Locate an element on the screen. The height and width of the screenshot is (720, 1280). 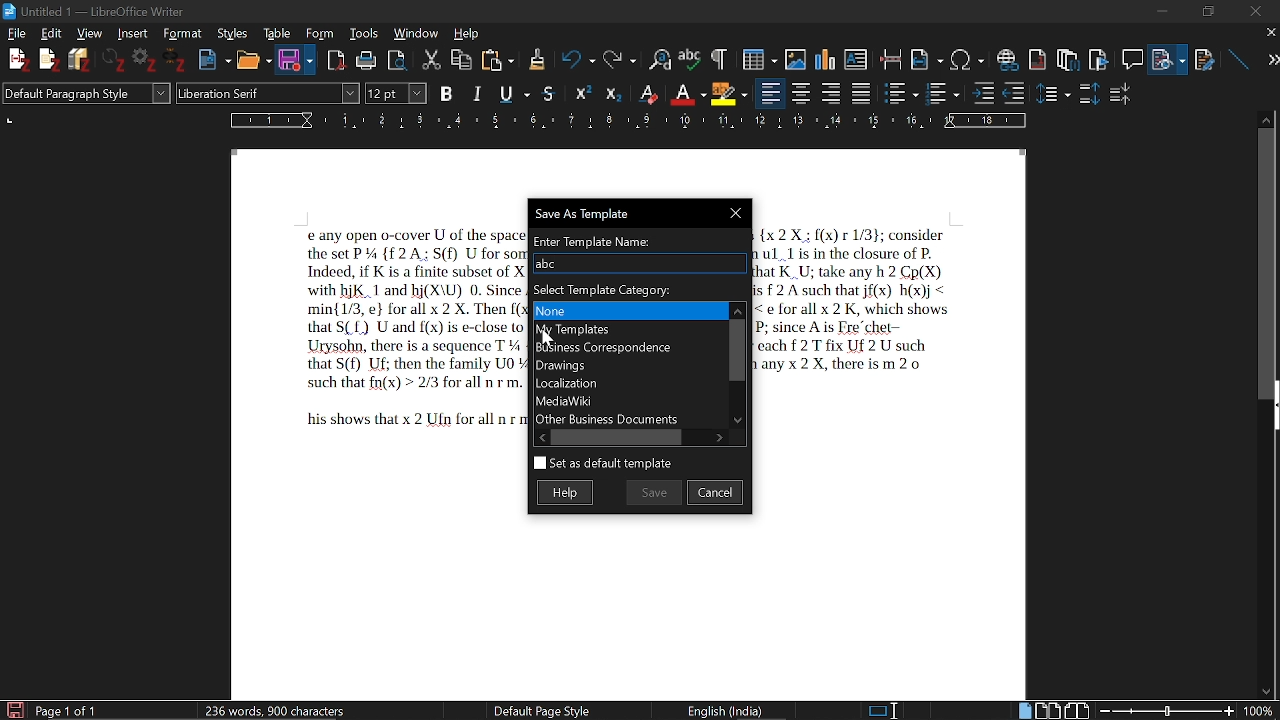
Insert footnote is located at coordinates (1067, 56).